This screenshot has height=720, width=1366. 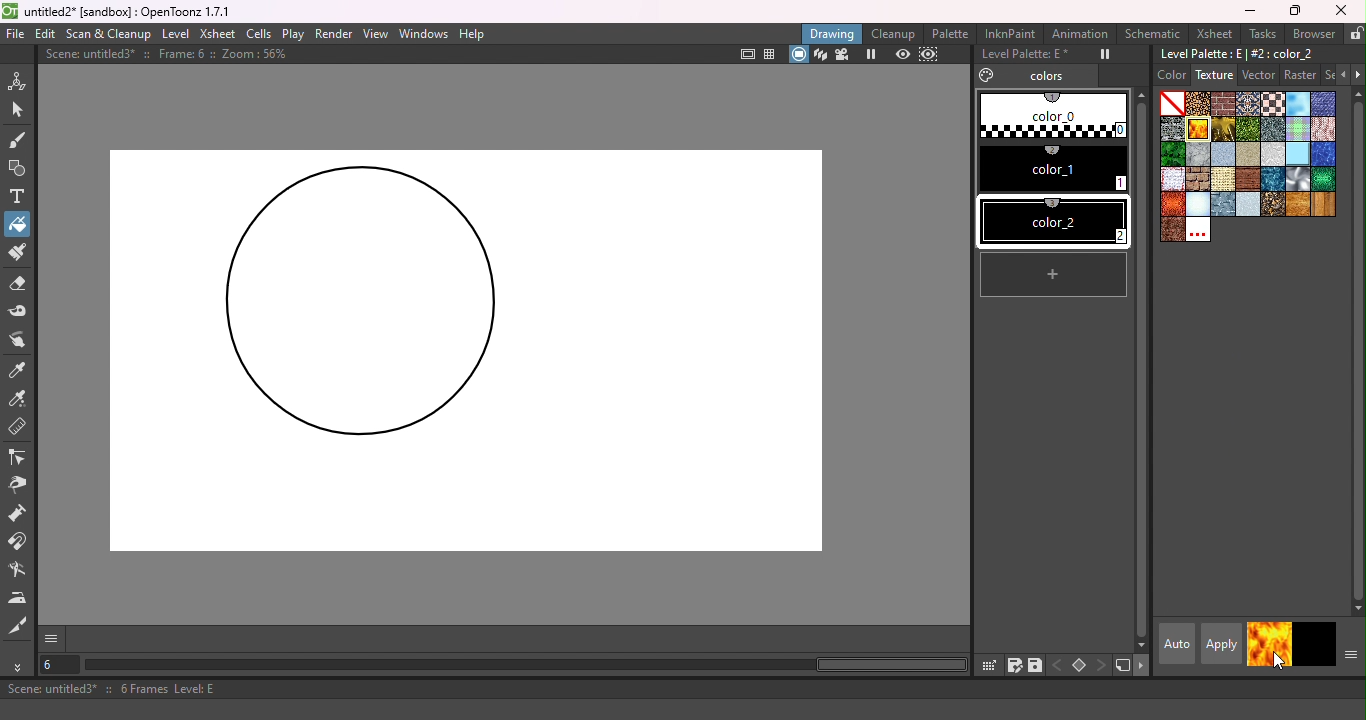 What do you see at coordinates (1274, 204) in the screenshot?
I see `wetpebbles.bmp` at bounding box center [1274, 204].